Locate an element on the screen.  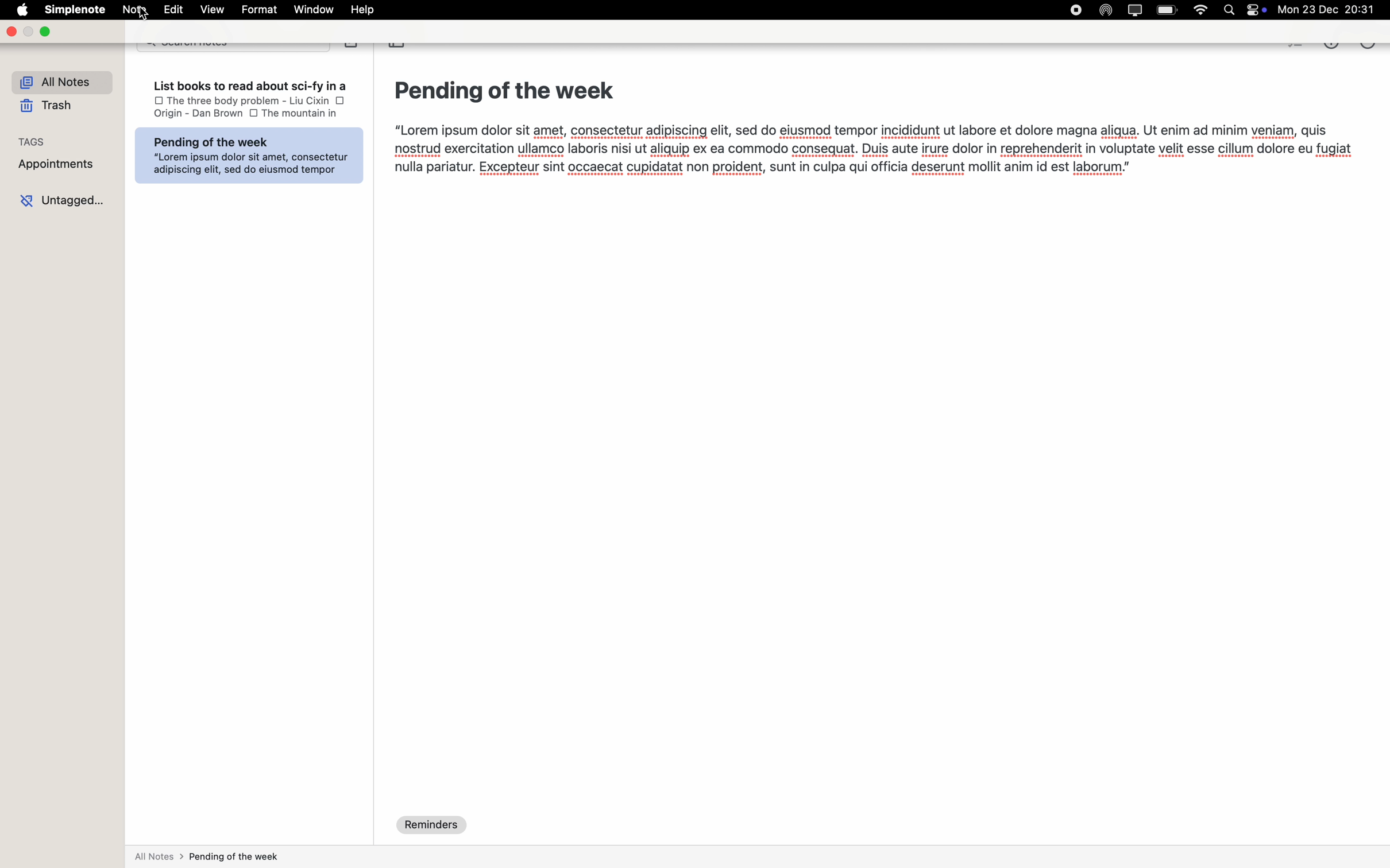
search bar is located at coordinates (233, 48).